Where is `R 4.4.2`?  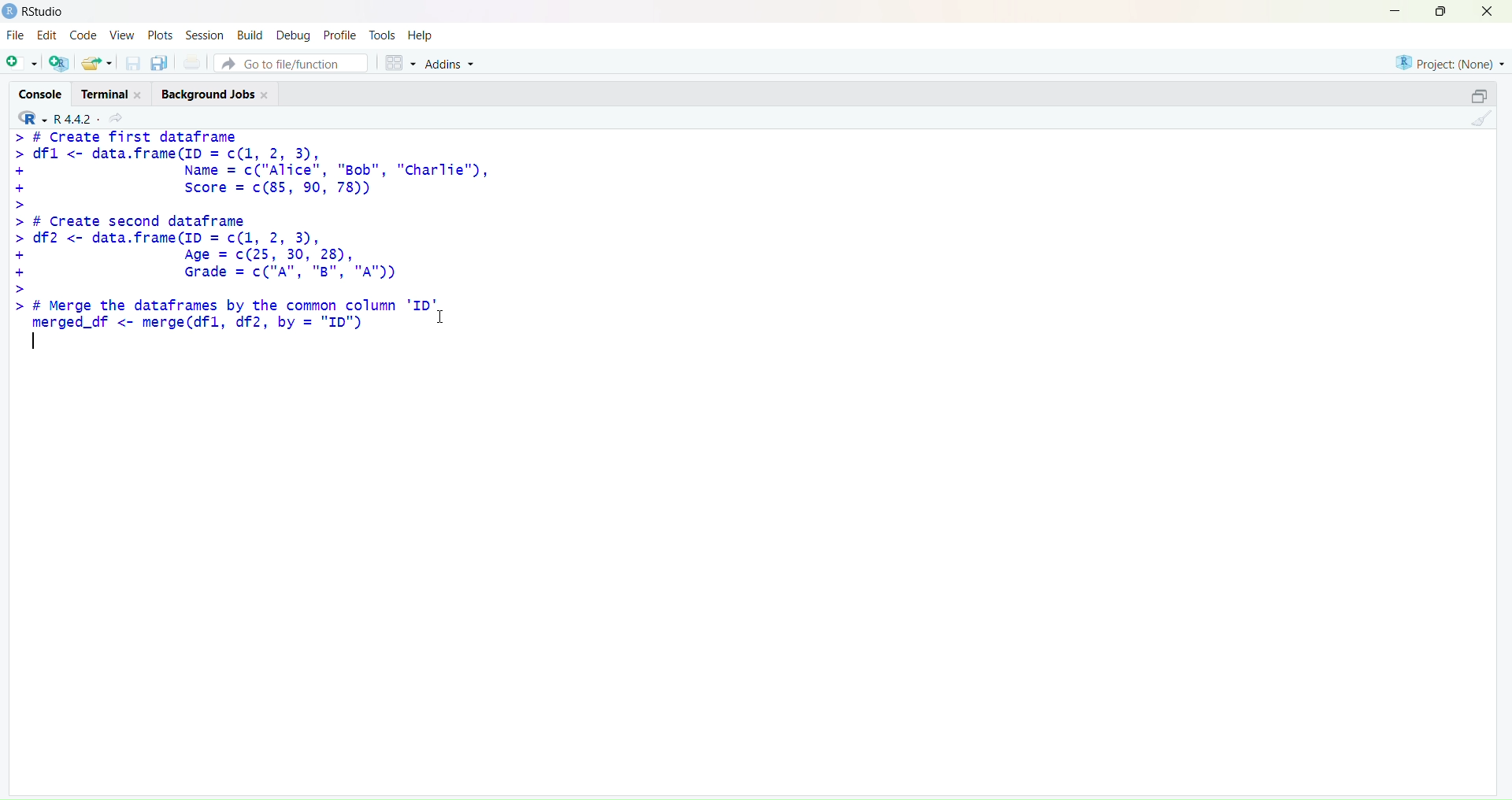 R 4.4.2 is located at coordinates (54, 117).